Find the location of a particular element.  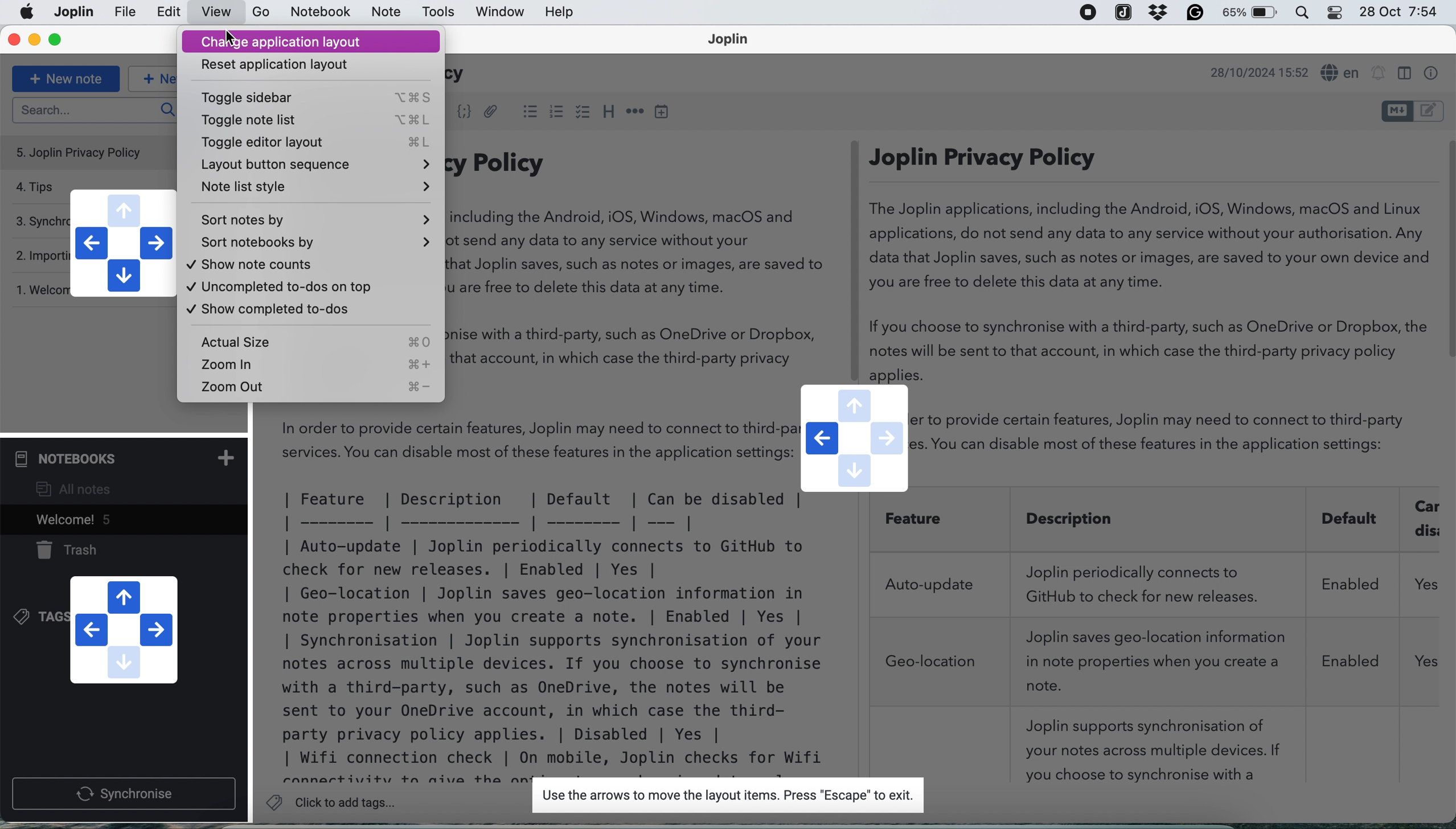

navigation buttons is located at coordinates (122, 629).